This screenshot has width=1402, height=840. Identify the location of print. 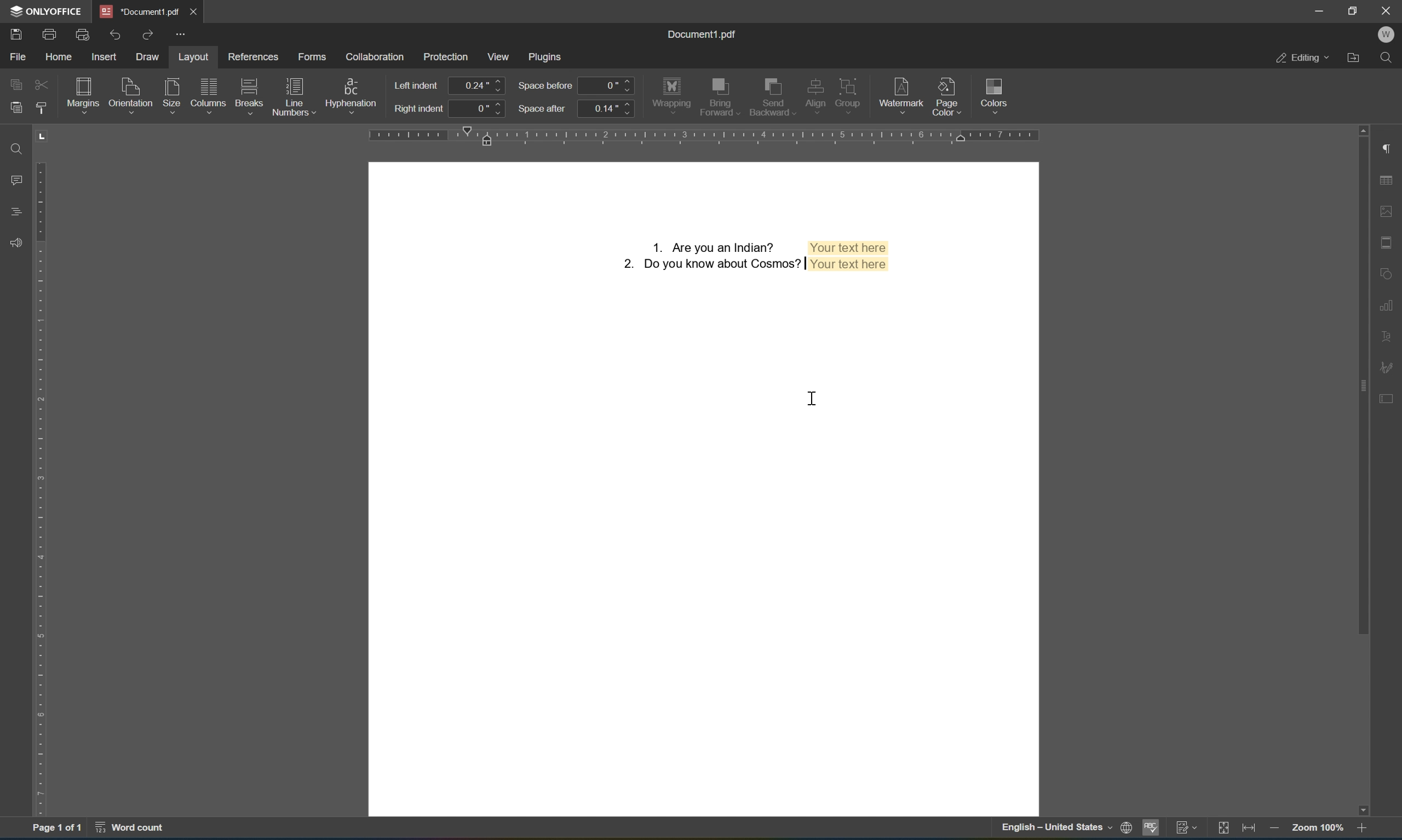
(49, 34).